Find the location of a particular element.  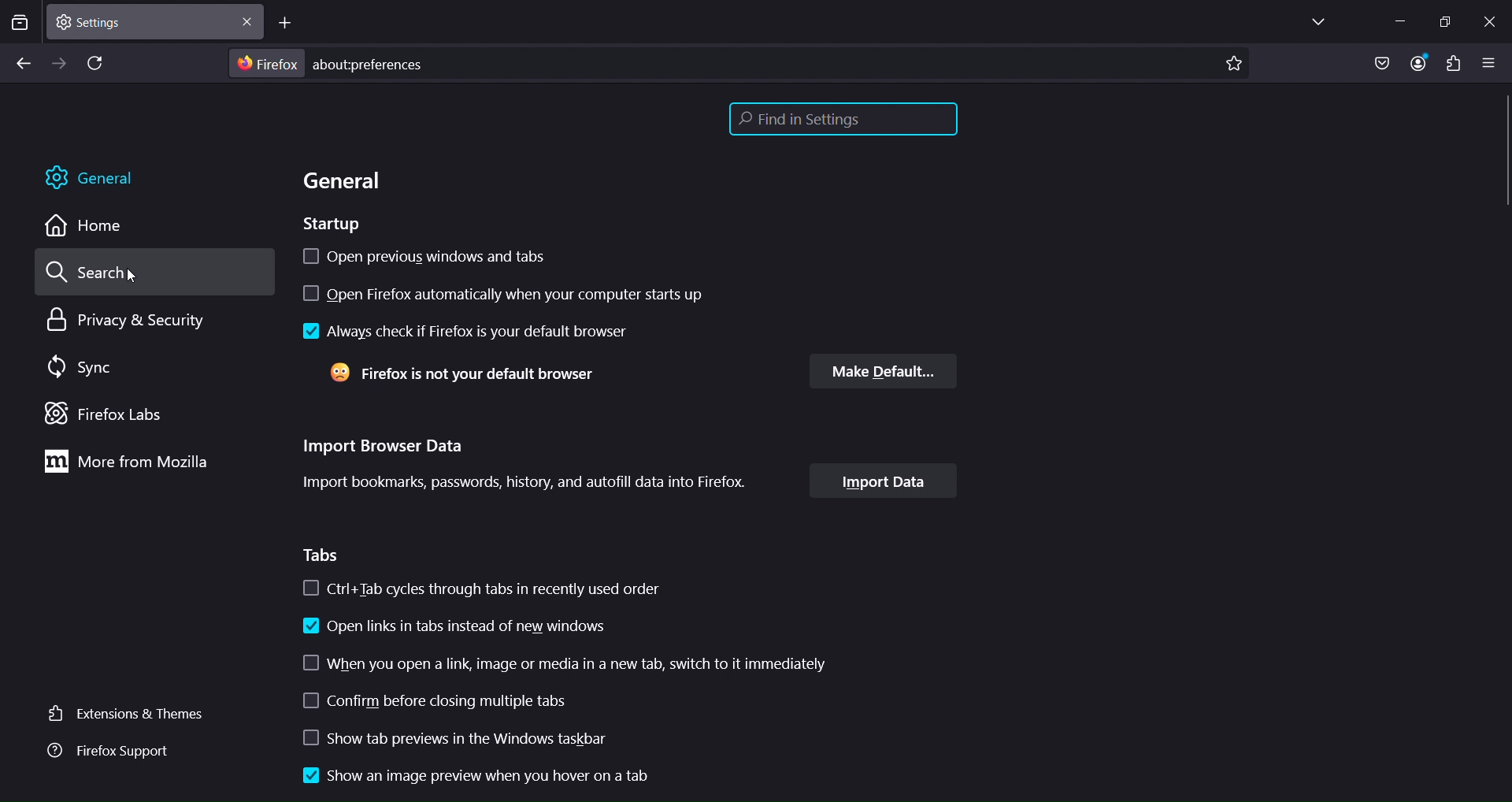

close is located at coordinates (1494, 21).